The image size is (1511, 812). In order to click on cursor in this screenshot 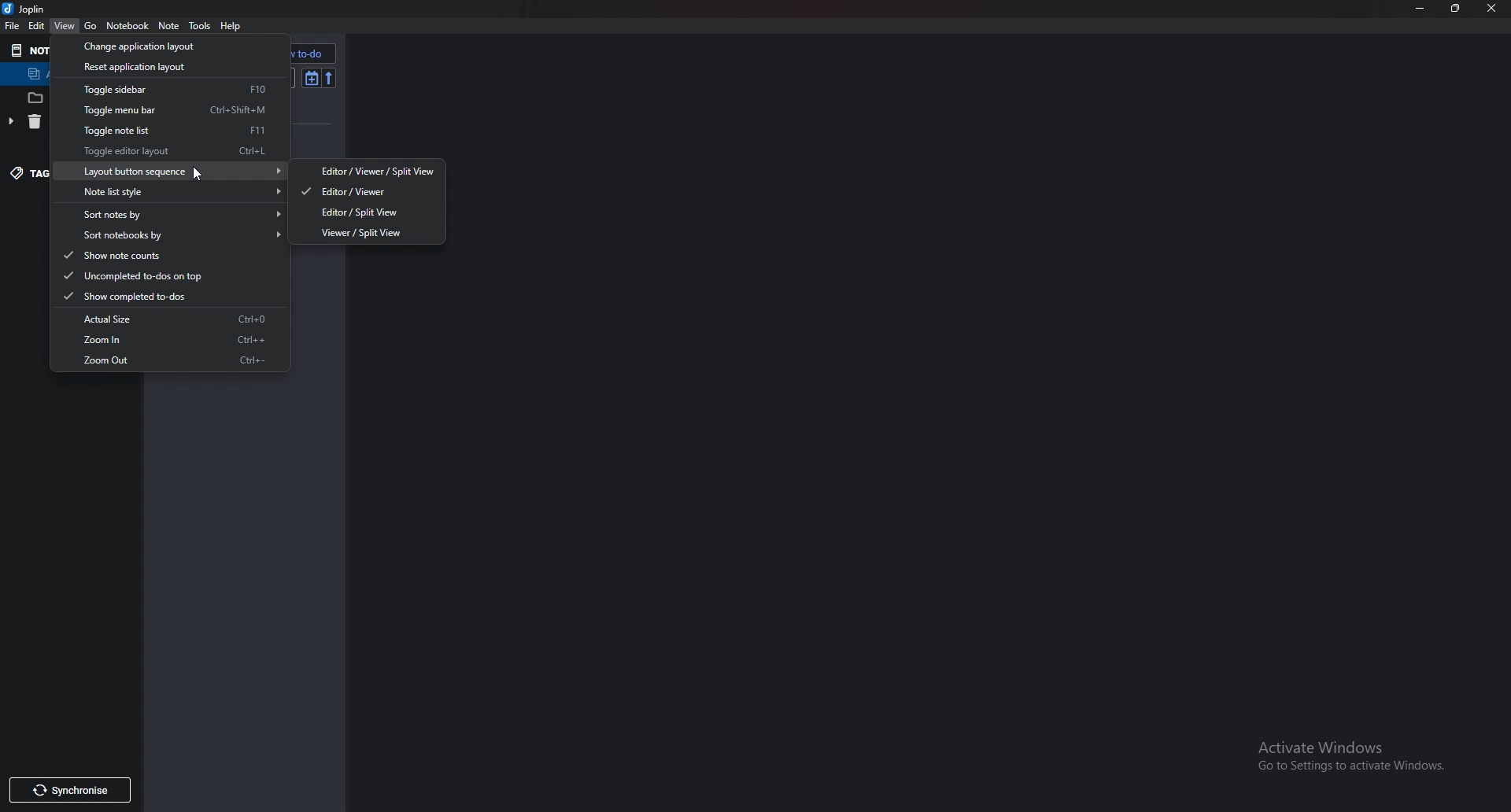, I will do `click(194, 173)`.